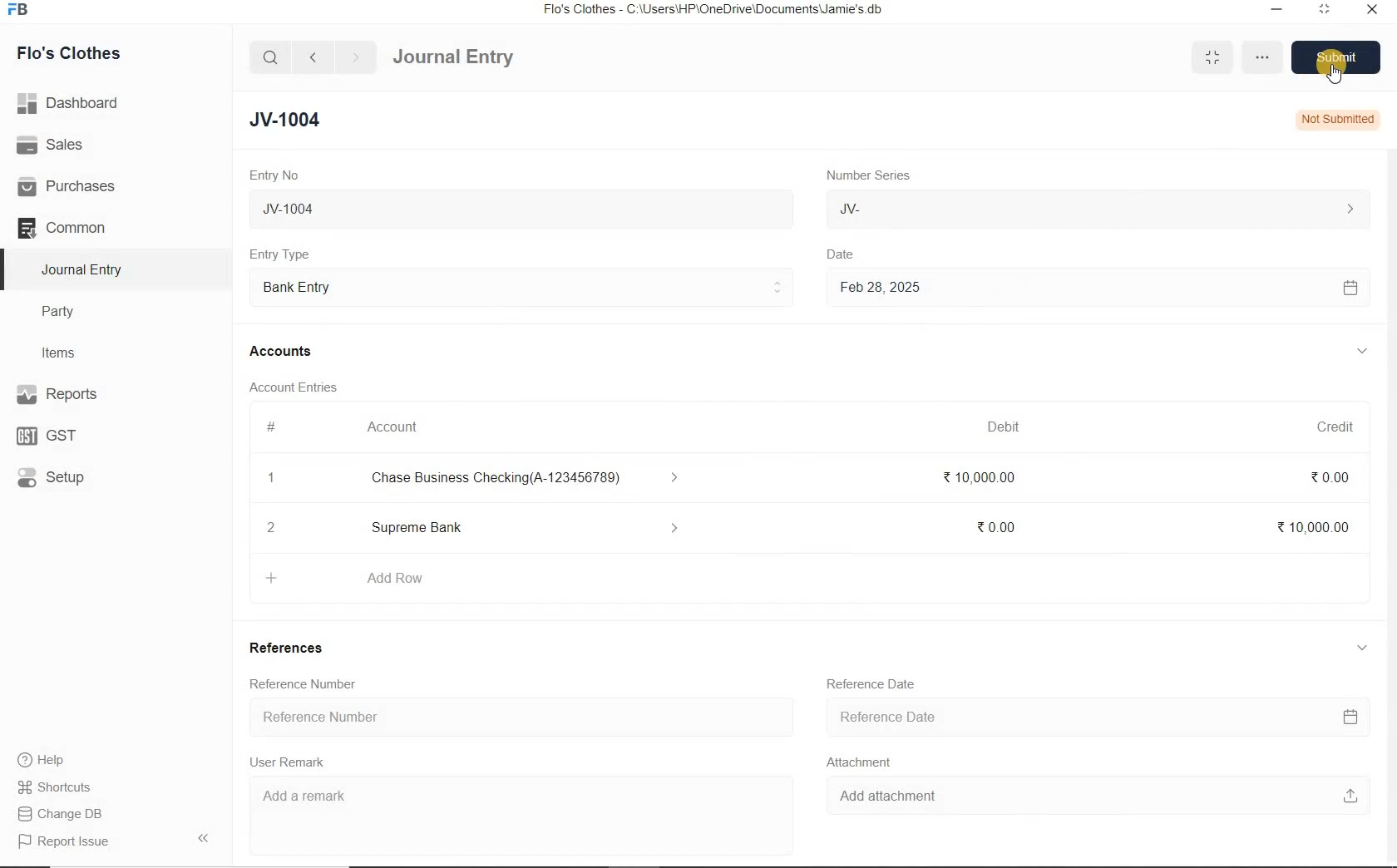  What do you see at coordinates (1012, 427) in the screenshot?
I see `Debit` at bounding box center [1012, 427].